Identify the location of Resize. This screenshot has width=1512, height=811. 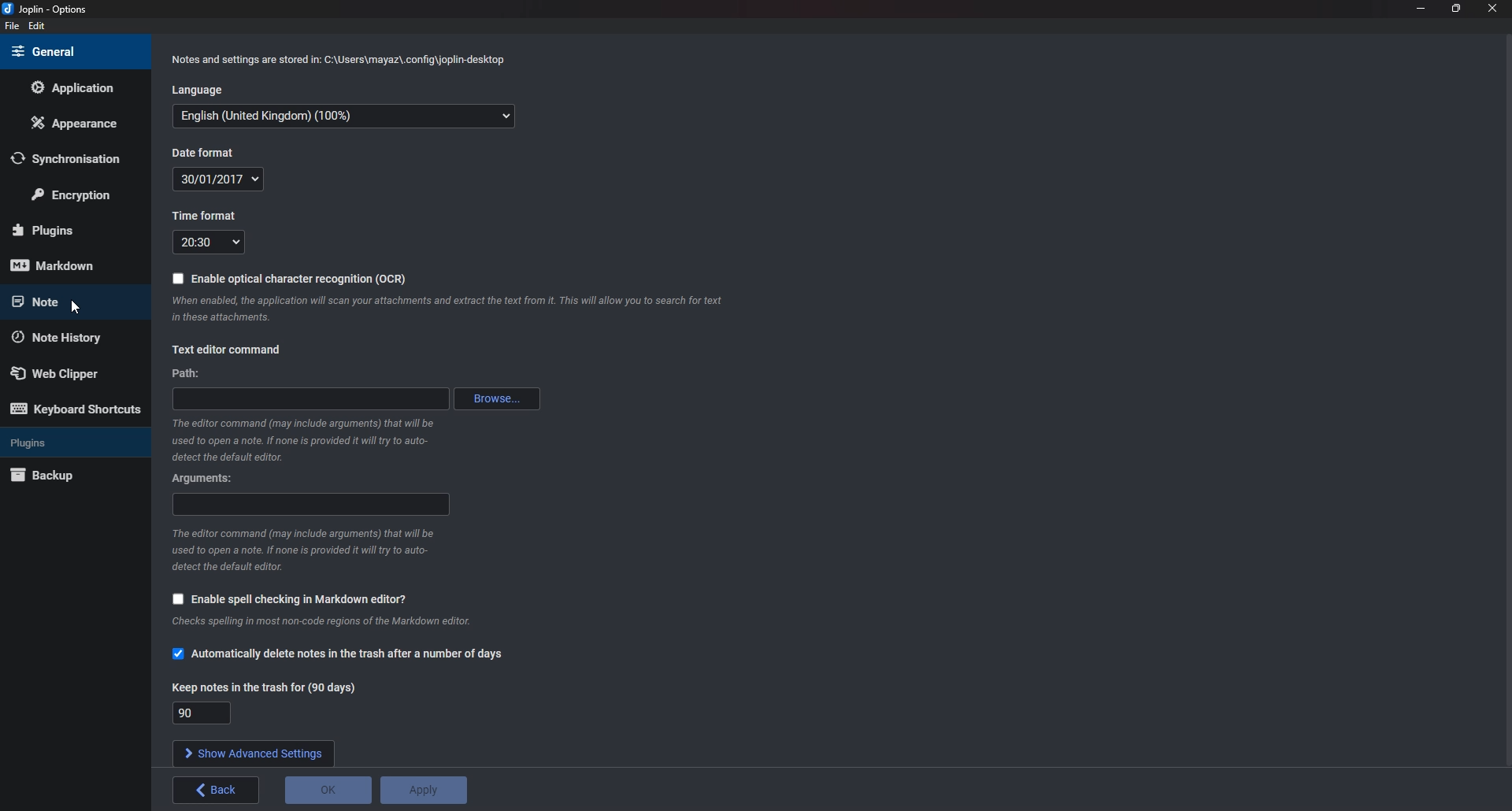
(1456, 9).